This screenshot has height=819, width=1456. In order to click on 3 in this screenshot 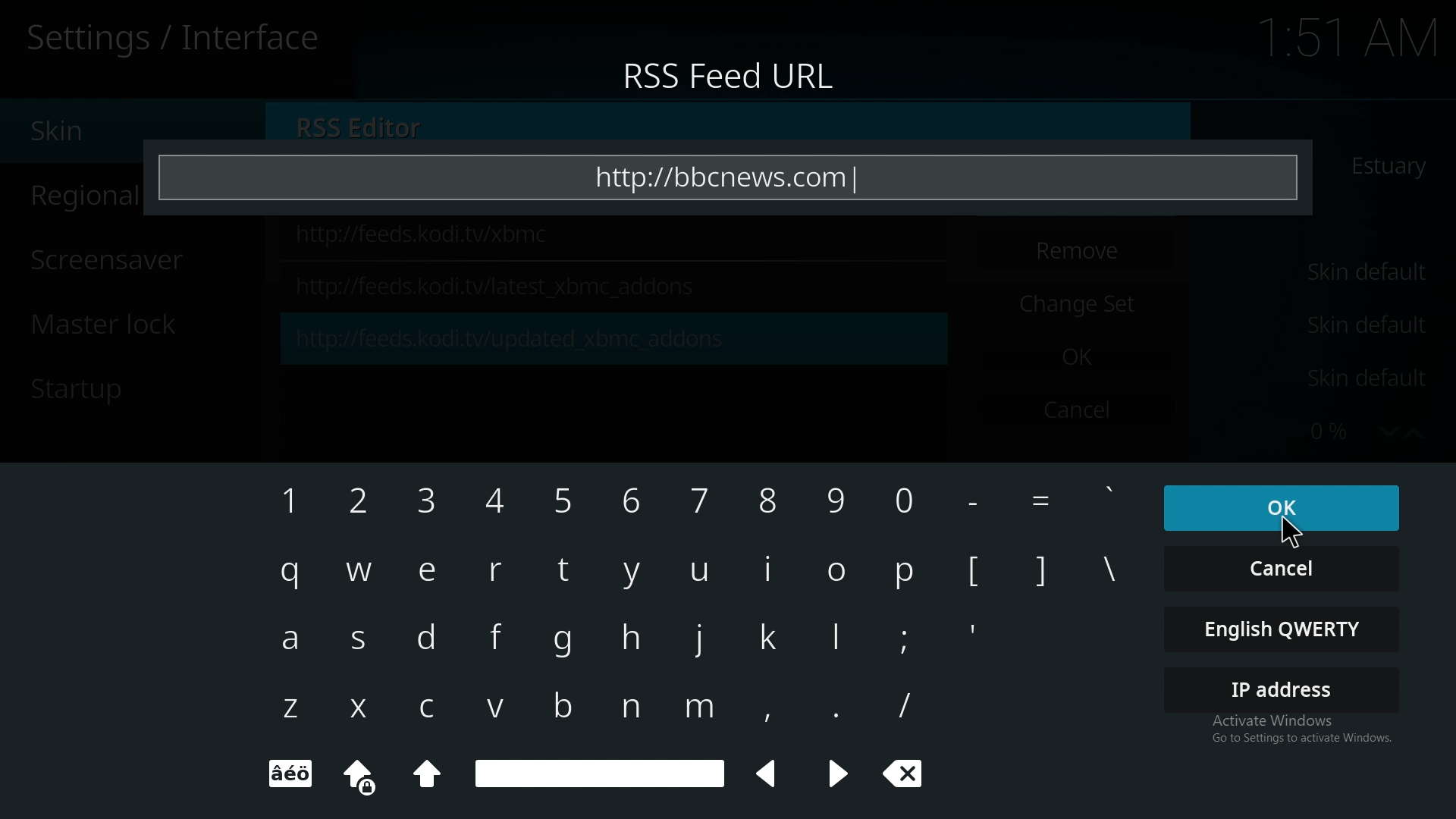, I will do `click(435, 504)`.